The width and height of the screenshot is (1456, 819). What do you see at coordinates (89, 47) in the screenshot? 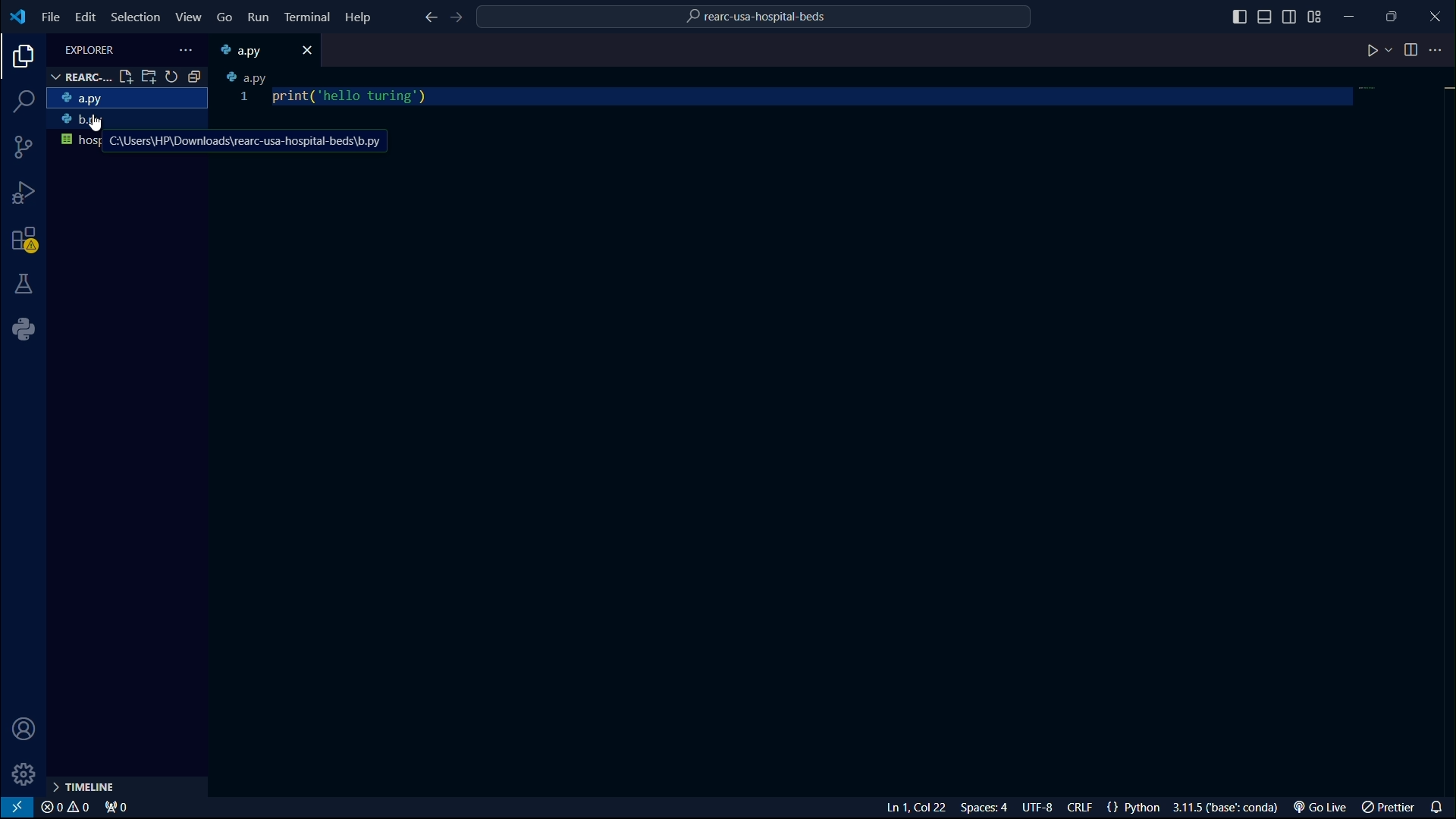
I see `EXPLORER` at bounding box center [89, 47].